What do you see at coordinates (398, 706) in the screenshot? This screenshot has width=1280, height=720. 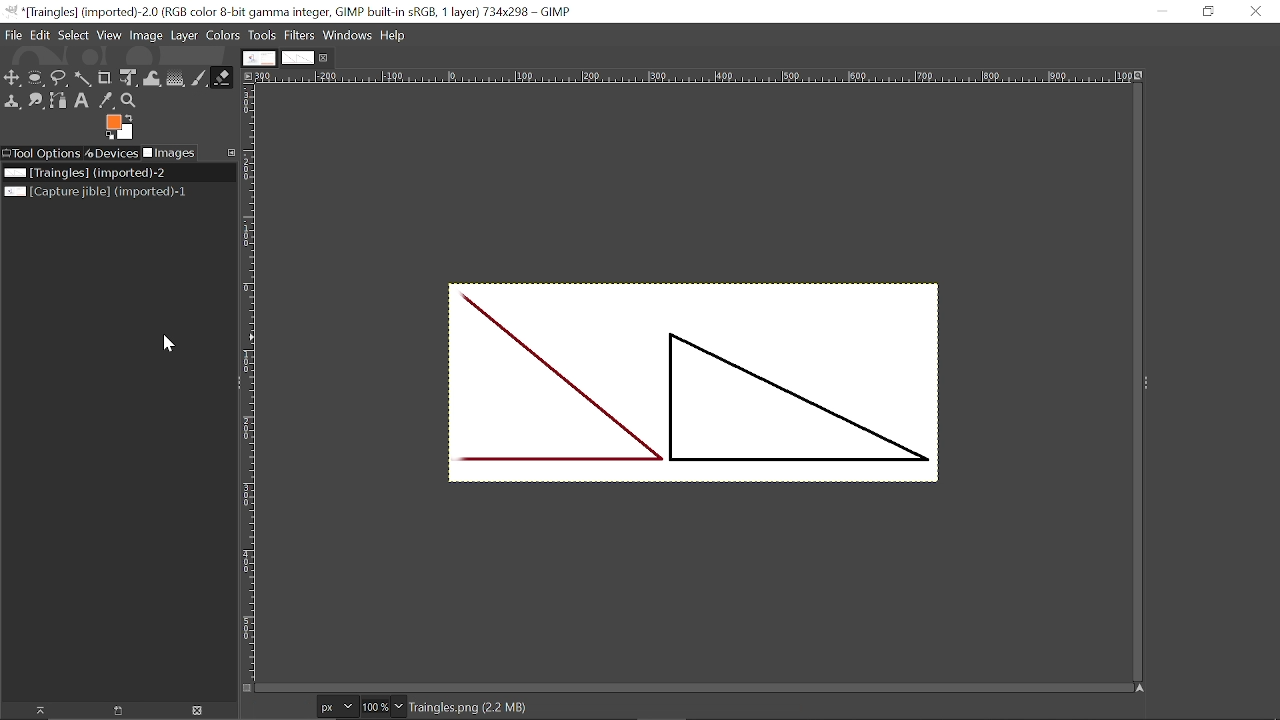 I see `Zoom options` at bounding box center [398, 706].